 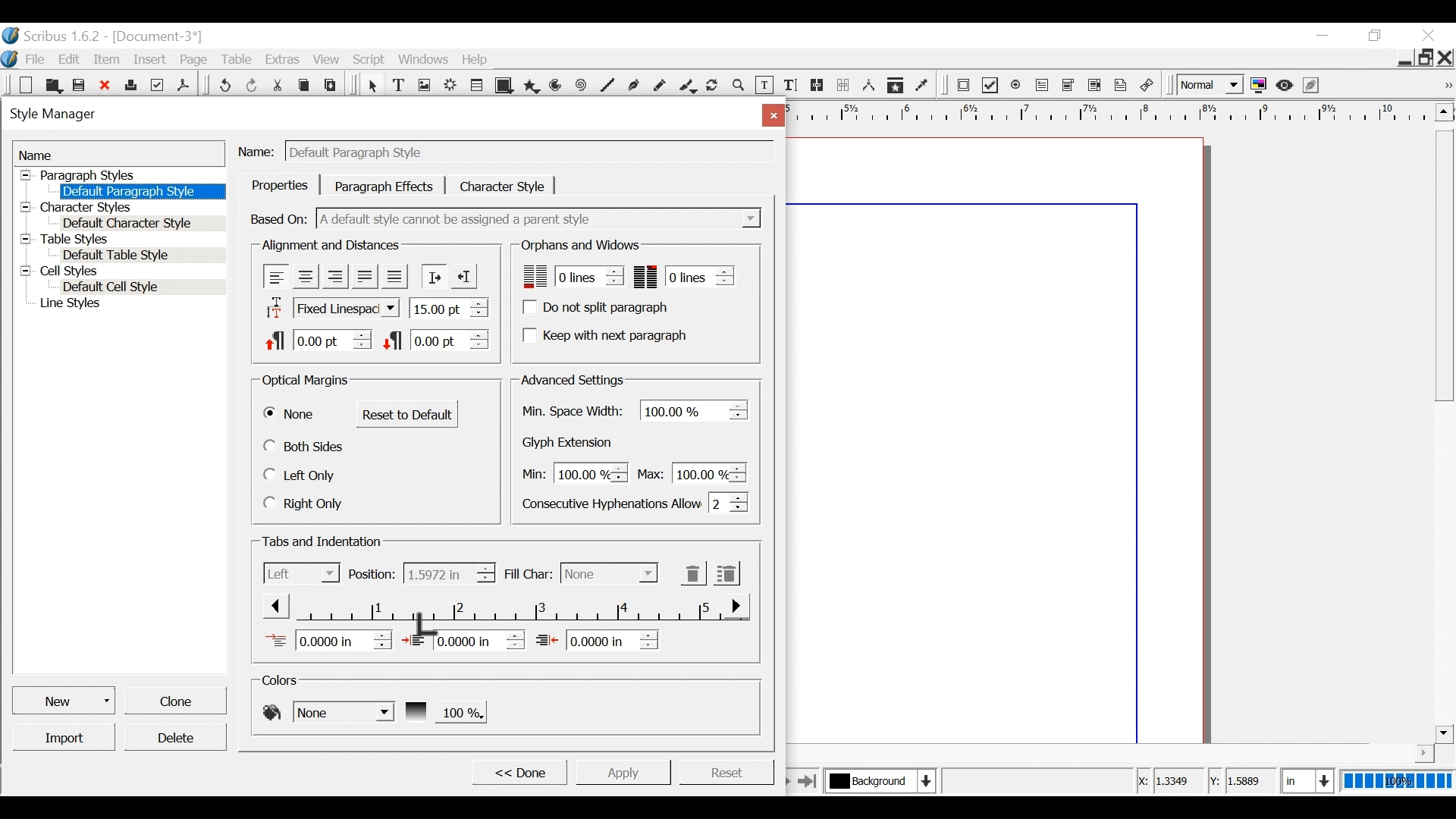 I want to click on Import, so click(x=65, y=737).